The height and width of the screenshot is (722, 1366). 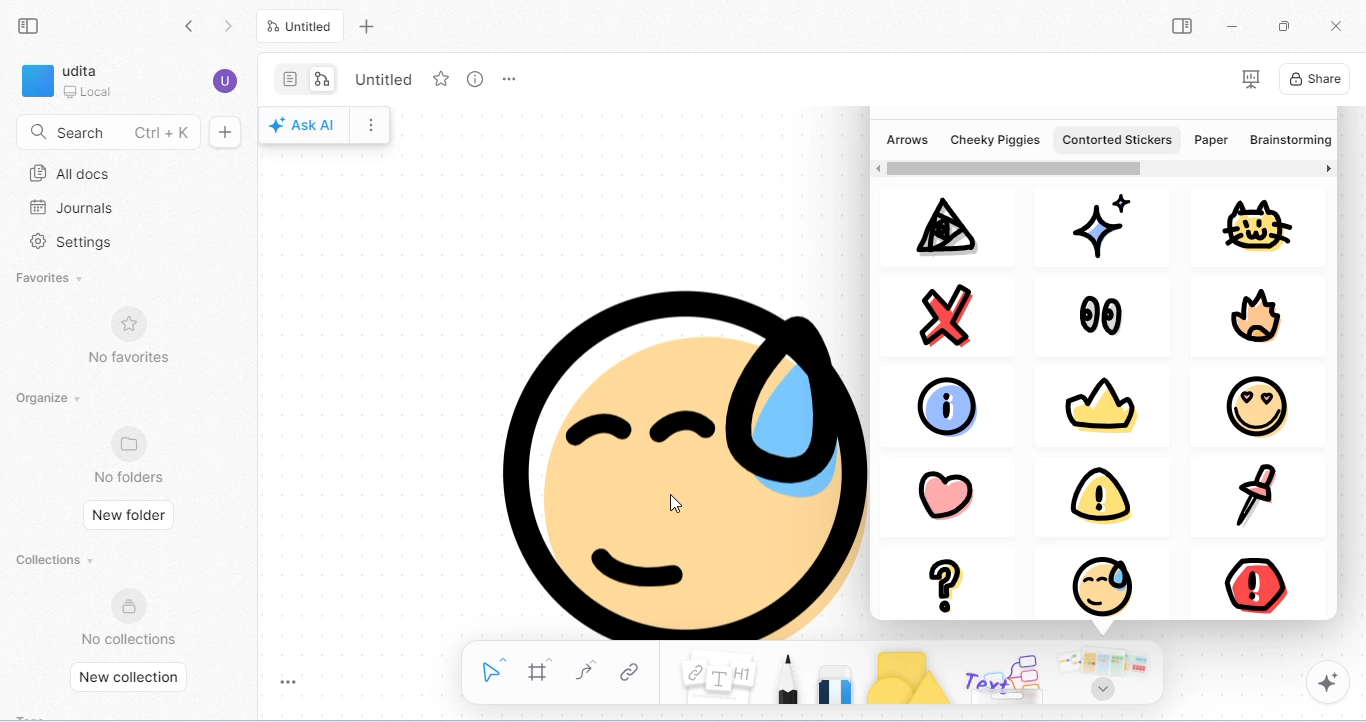 What do you see at coordinates (1211, 139) in the screenshot?
I see `paper` at bounding box center [1211, 139].